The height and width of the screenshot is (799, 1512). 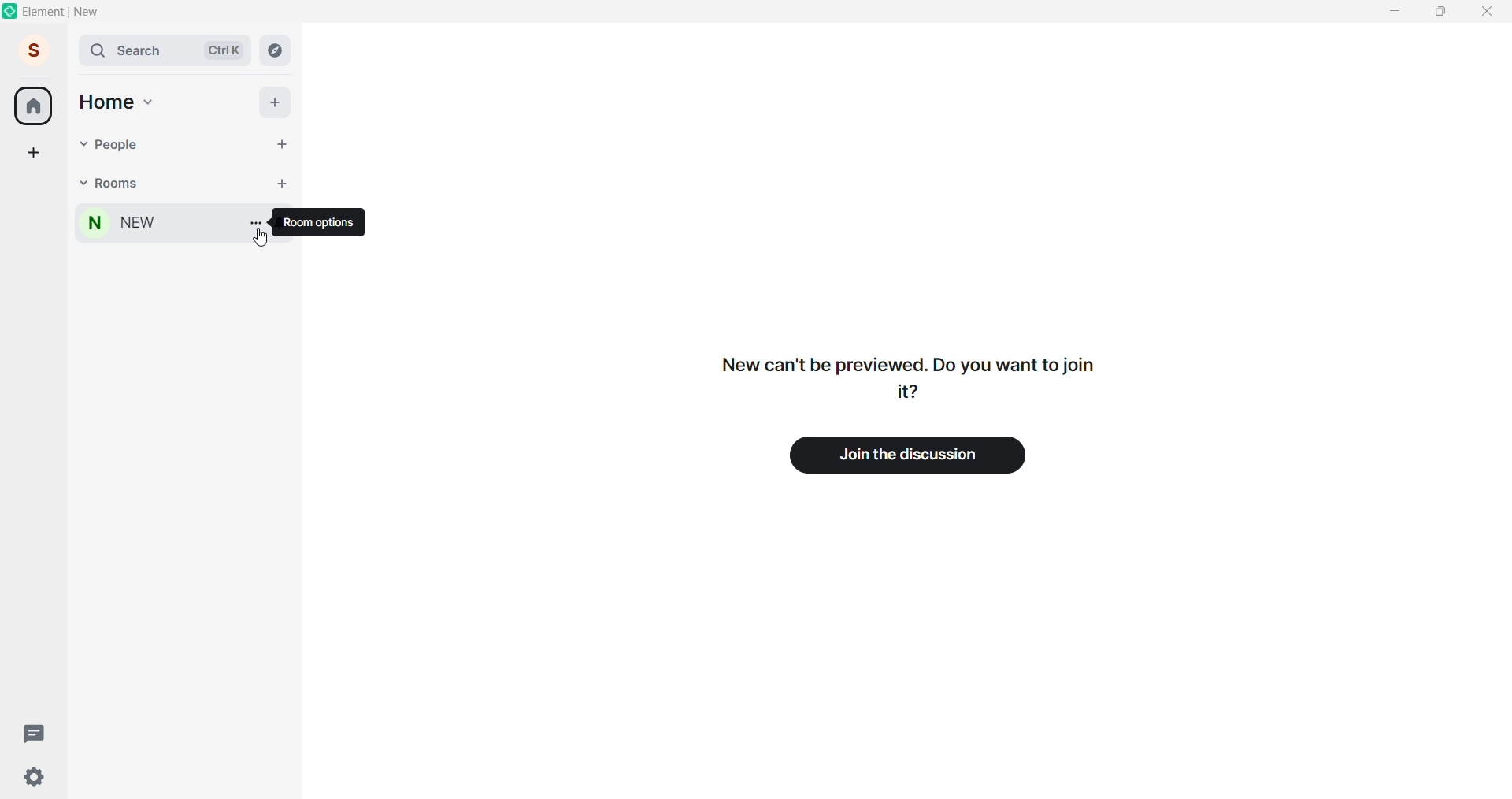 I want to click on minimize, so click(x=1391, y=12).